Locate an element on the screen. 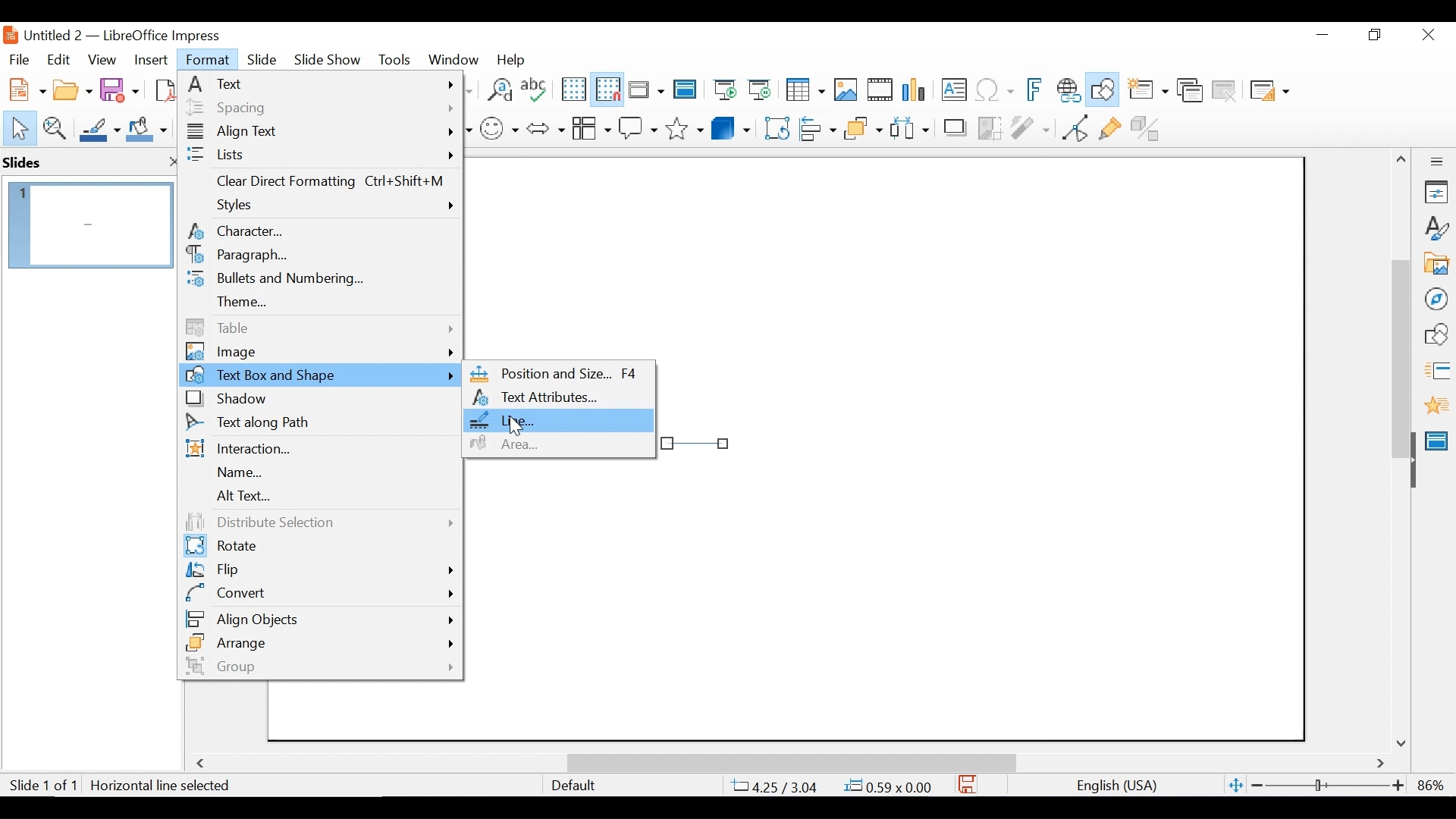 This screenshot has width=1456, height=819. Slide 1 of 1 is located at coordinates (42, 786).